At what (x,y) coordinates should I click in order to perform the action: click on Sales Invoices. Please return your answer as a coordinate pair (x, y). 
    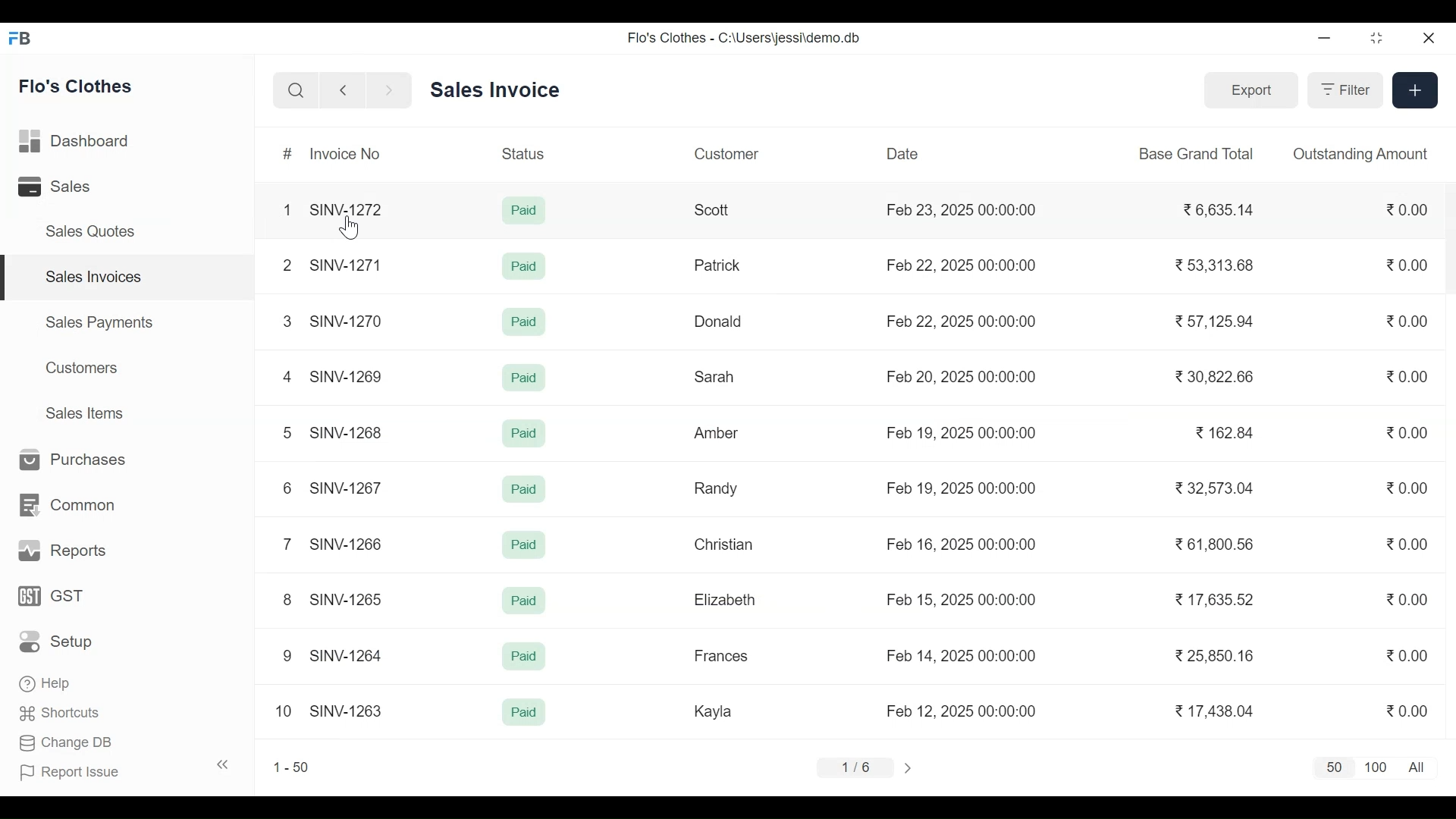
    Looking at the image, I should click on (128, 278).